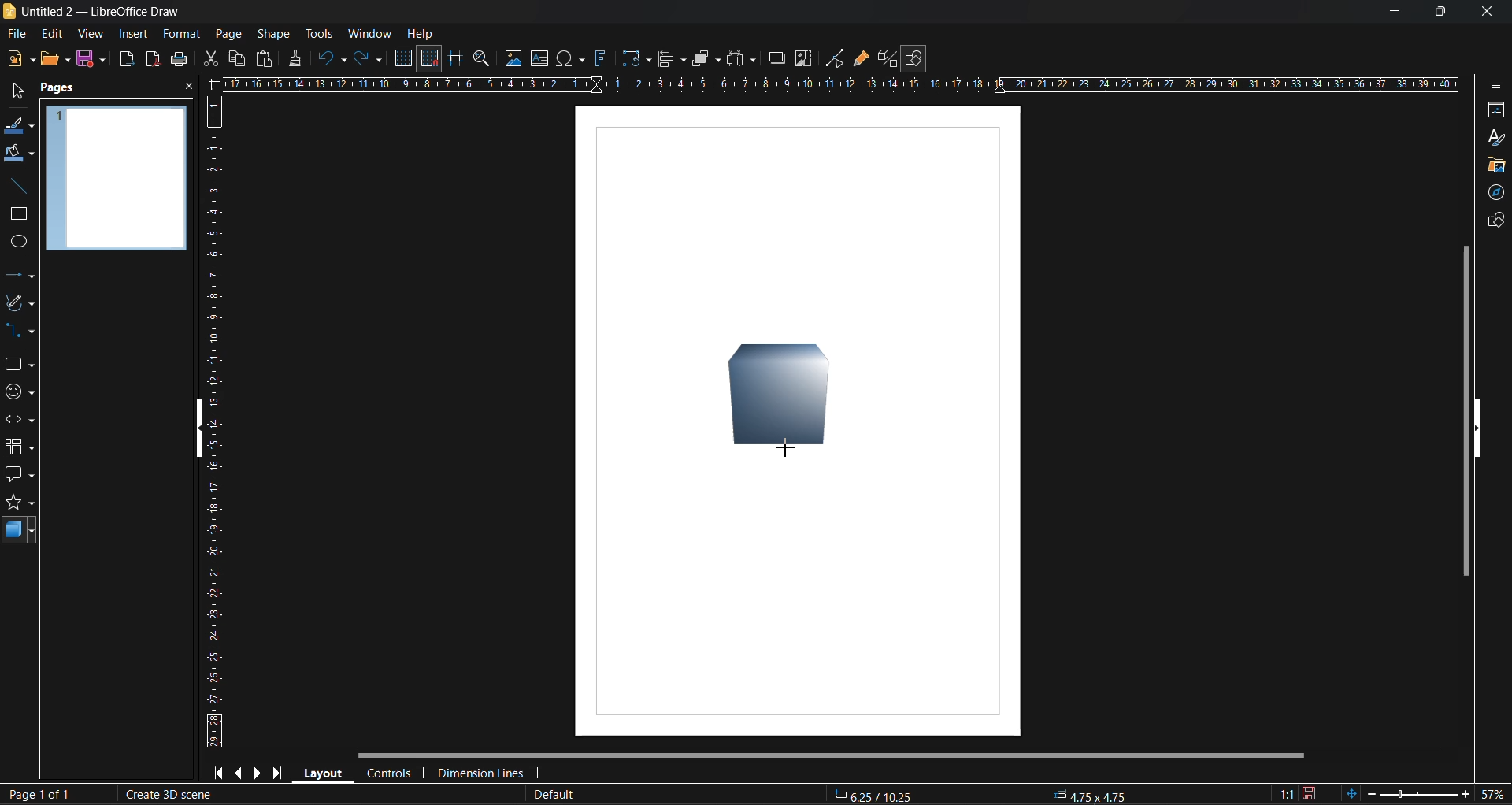 This screenshot has height=805, width=1512. Describe the element at coordinates (1388, 12) in the screenshot. I see `minimize` at that location.